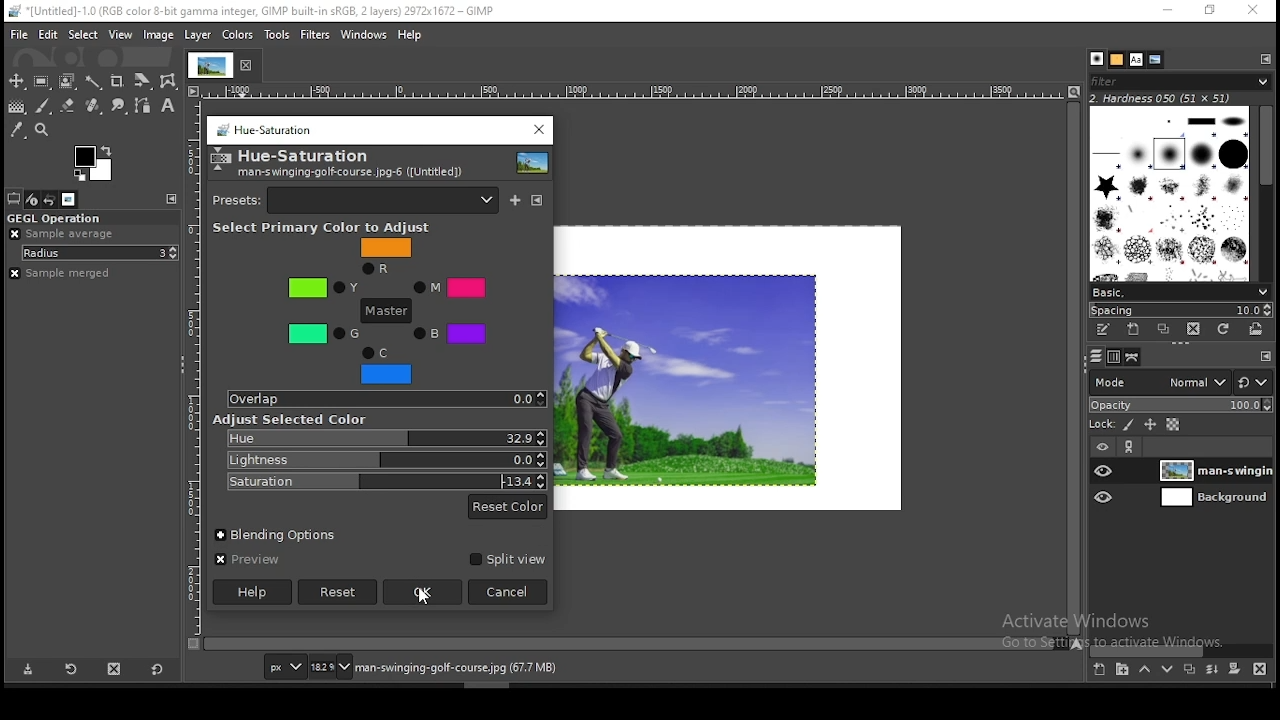  What do you see at coordinates (118, 82) in the screenshot?
I see `crop tool` at bounding box center [118, 82].